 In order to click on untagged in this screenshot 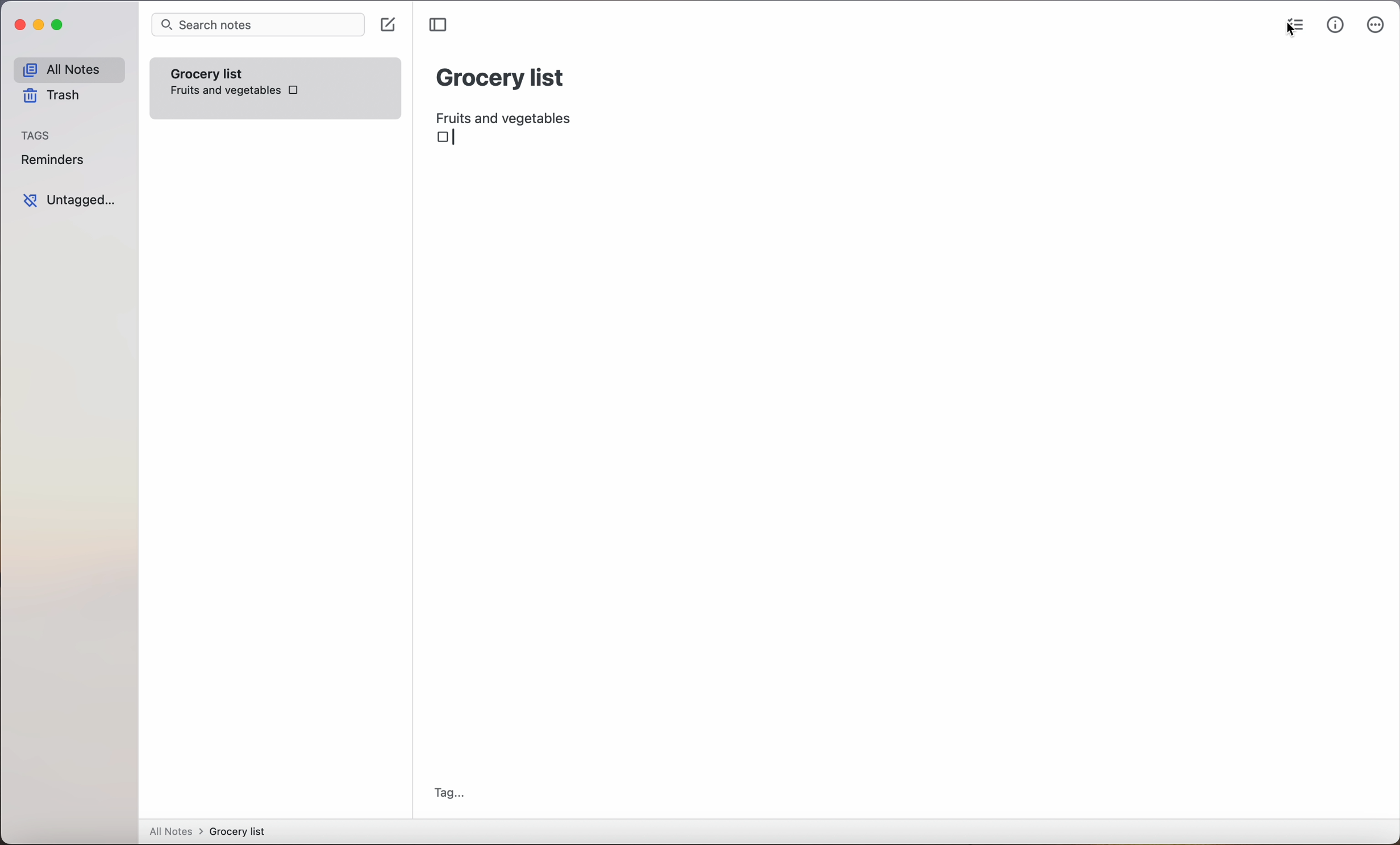, I will do `click(69, 200)`.